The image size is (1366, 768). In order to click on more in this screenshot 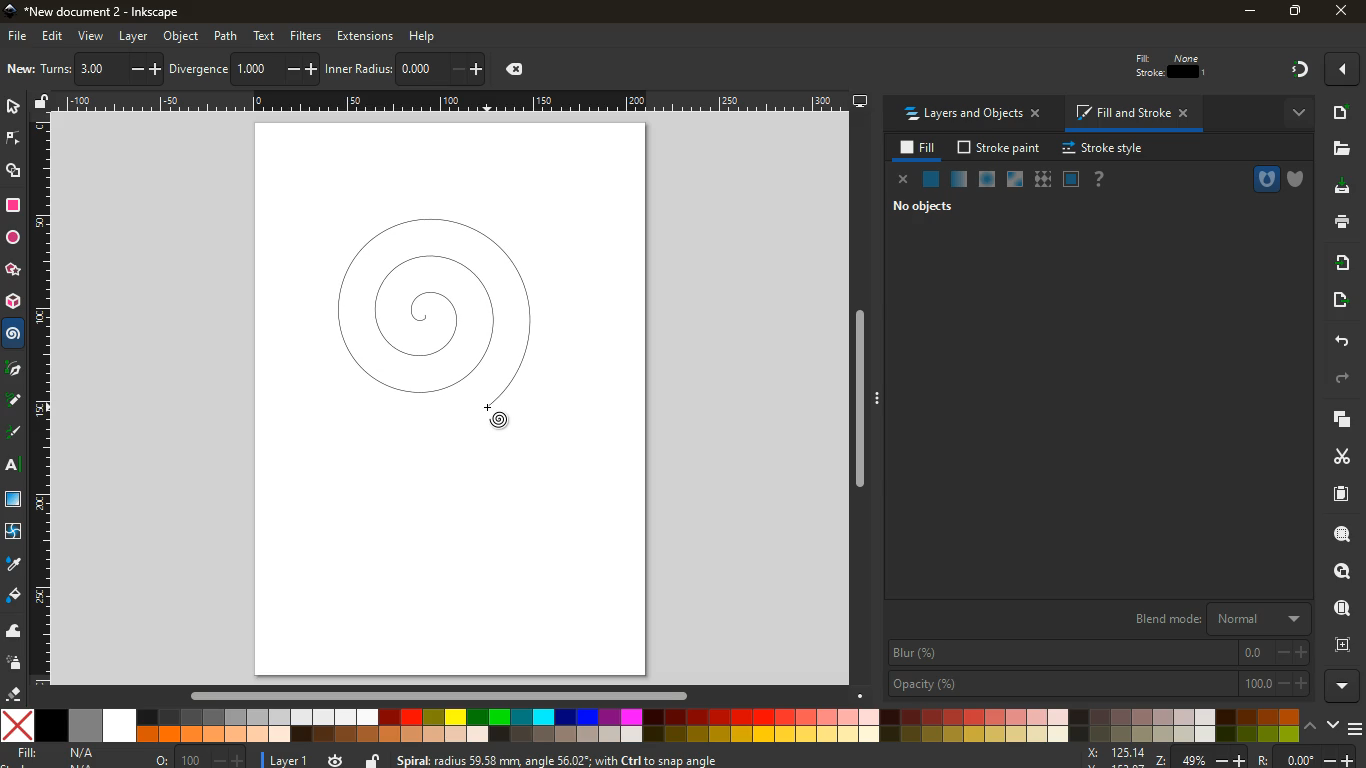, I will do `click(1340, 71)`.